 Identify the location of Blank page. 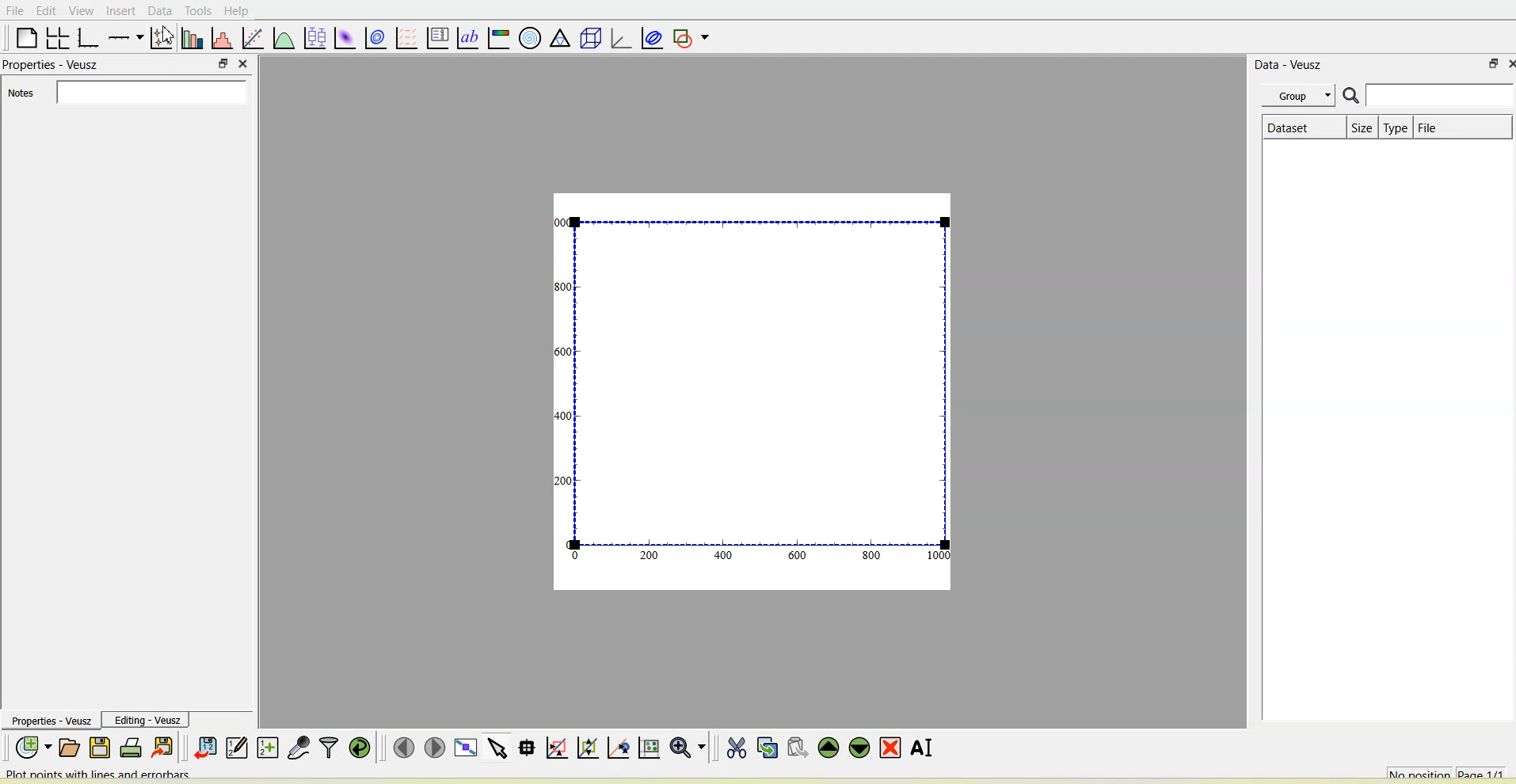
(27, 38).